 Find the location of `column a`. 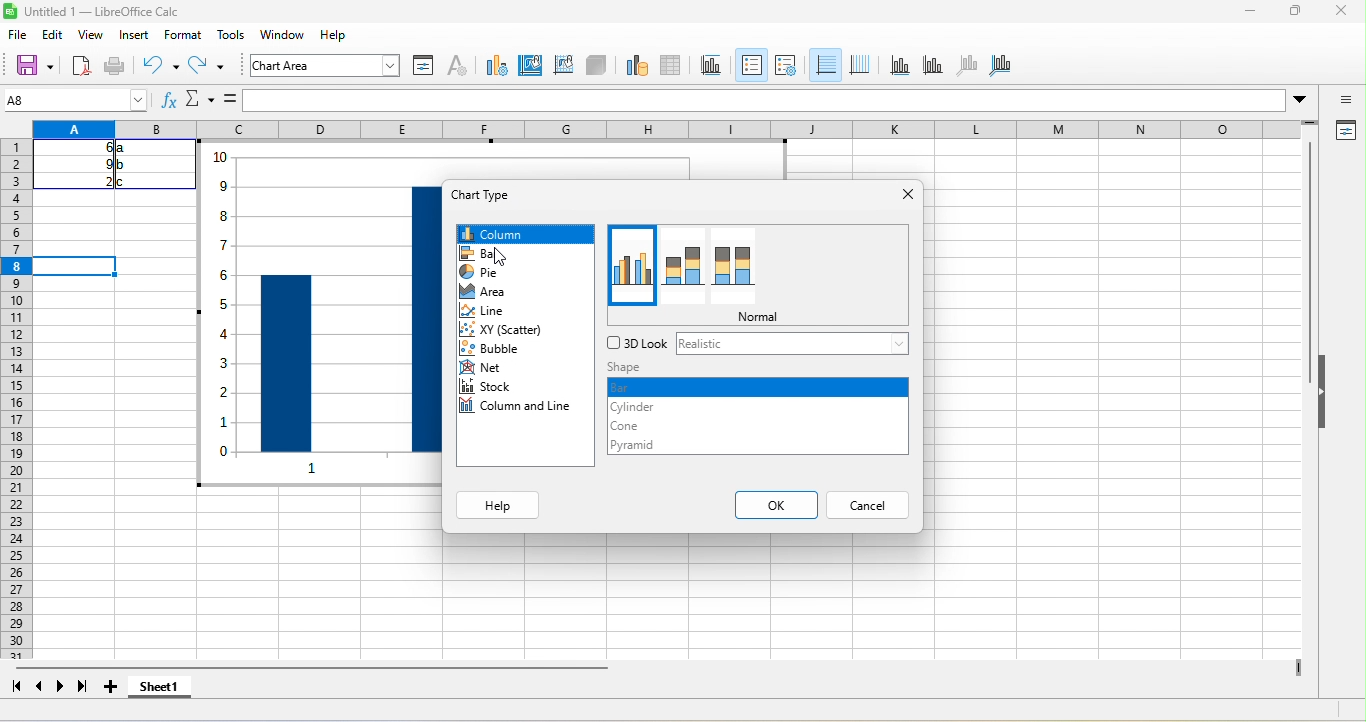

column a is located at coordinates (748, 303).